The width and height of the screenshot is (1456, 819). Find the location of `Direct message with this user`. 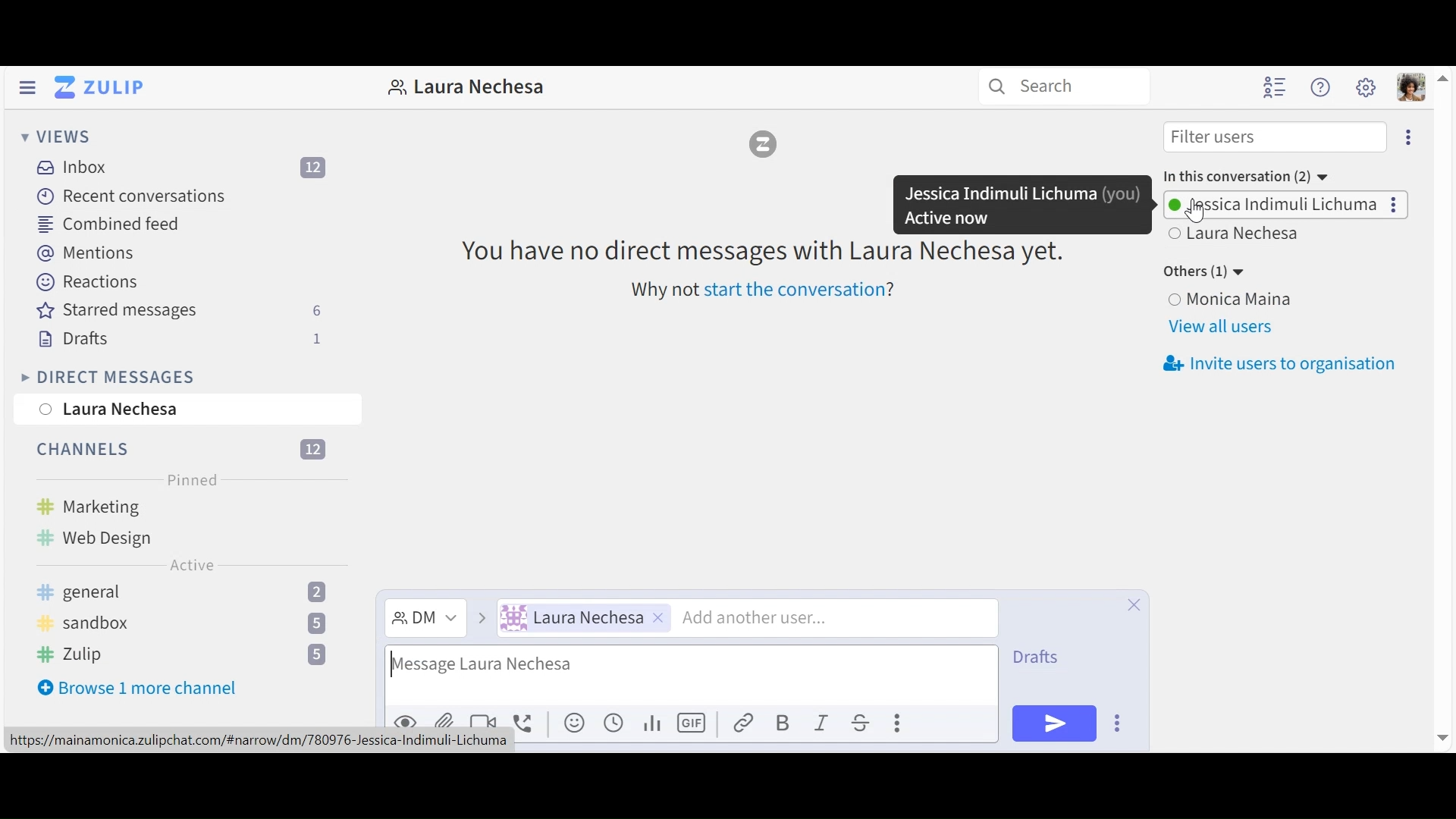

Direct message with this user is located at coordinates (467, 87).